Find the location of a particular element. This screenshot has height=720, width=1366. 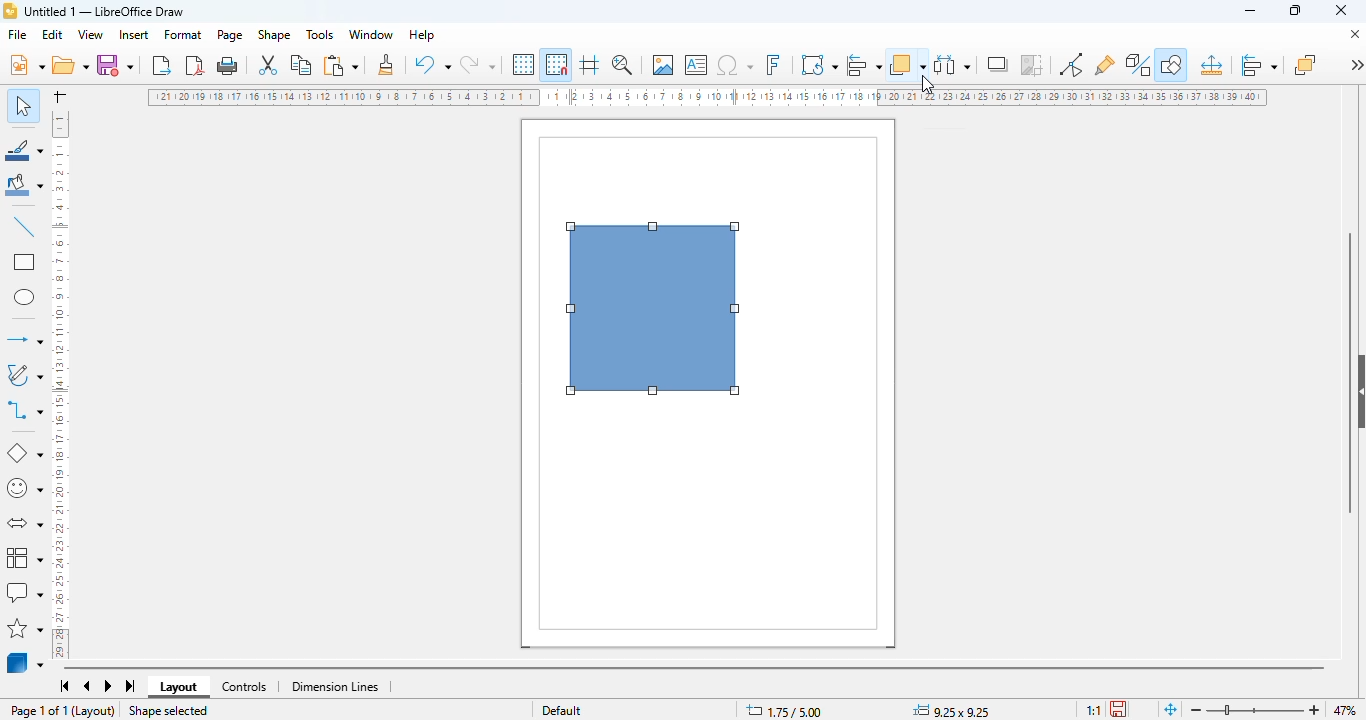

helplines while moving is located at coordinates (589, 64).